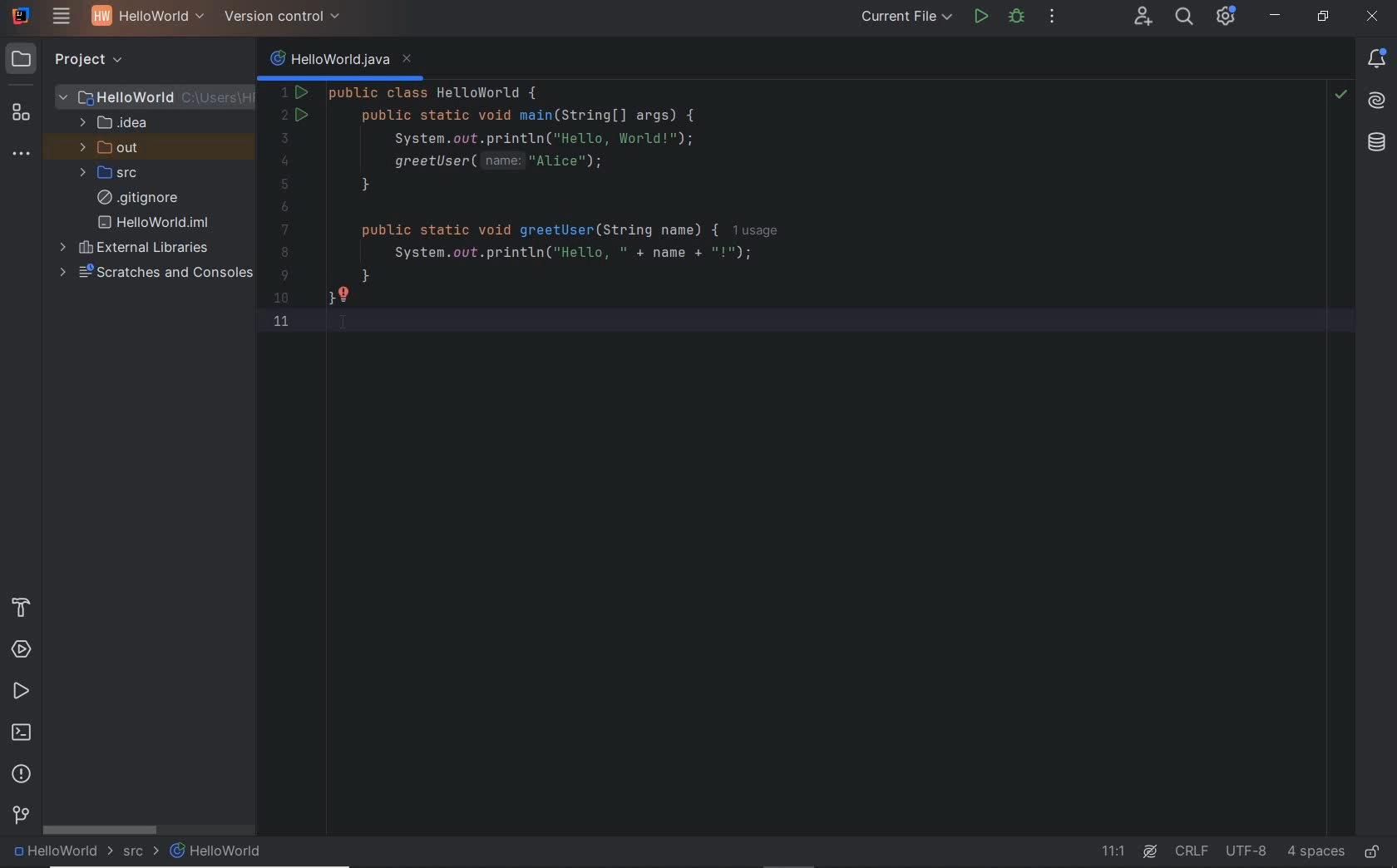 The width and height of the screenshot is (1397, 868). I want to click on current file, so click(905, 16).